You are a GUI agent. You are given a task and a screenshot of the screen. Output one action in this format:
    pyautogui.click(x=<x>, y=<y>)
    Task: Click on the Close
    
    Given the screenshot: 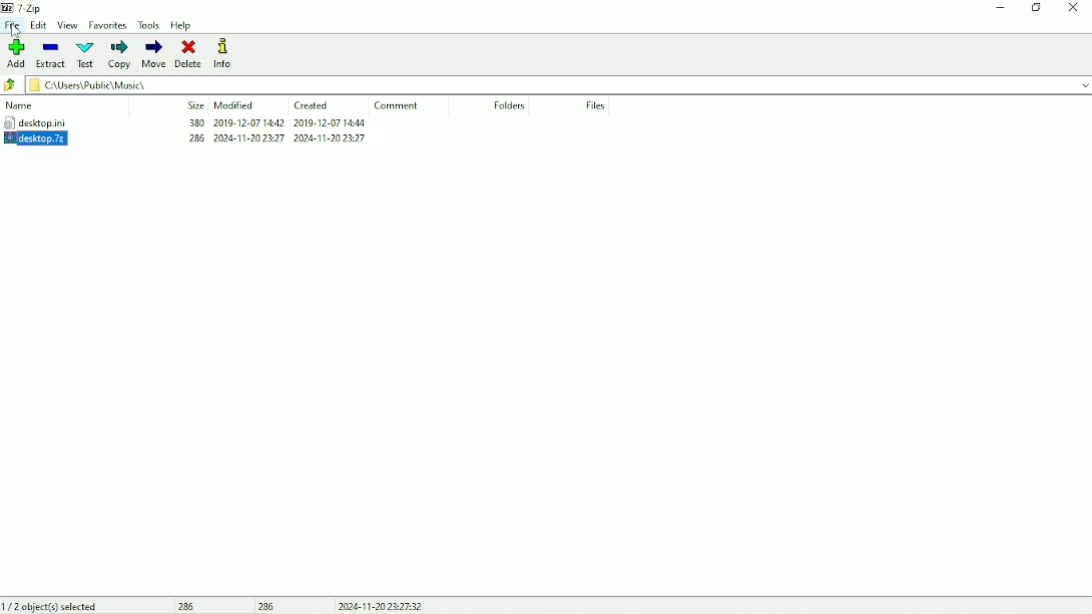 What is the action you would take?
    pyautogui.click(x=1074, y=8)
    